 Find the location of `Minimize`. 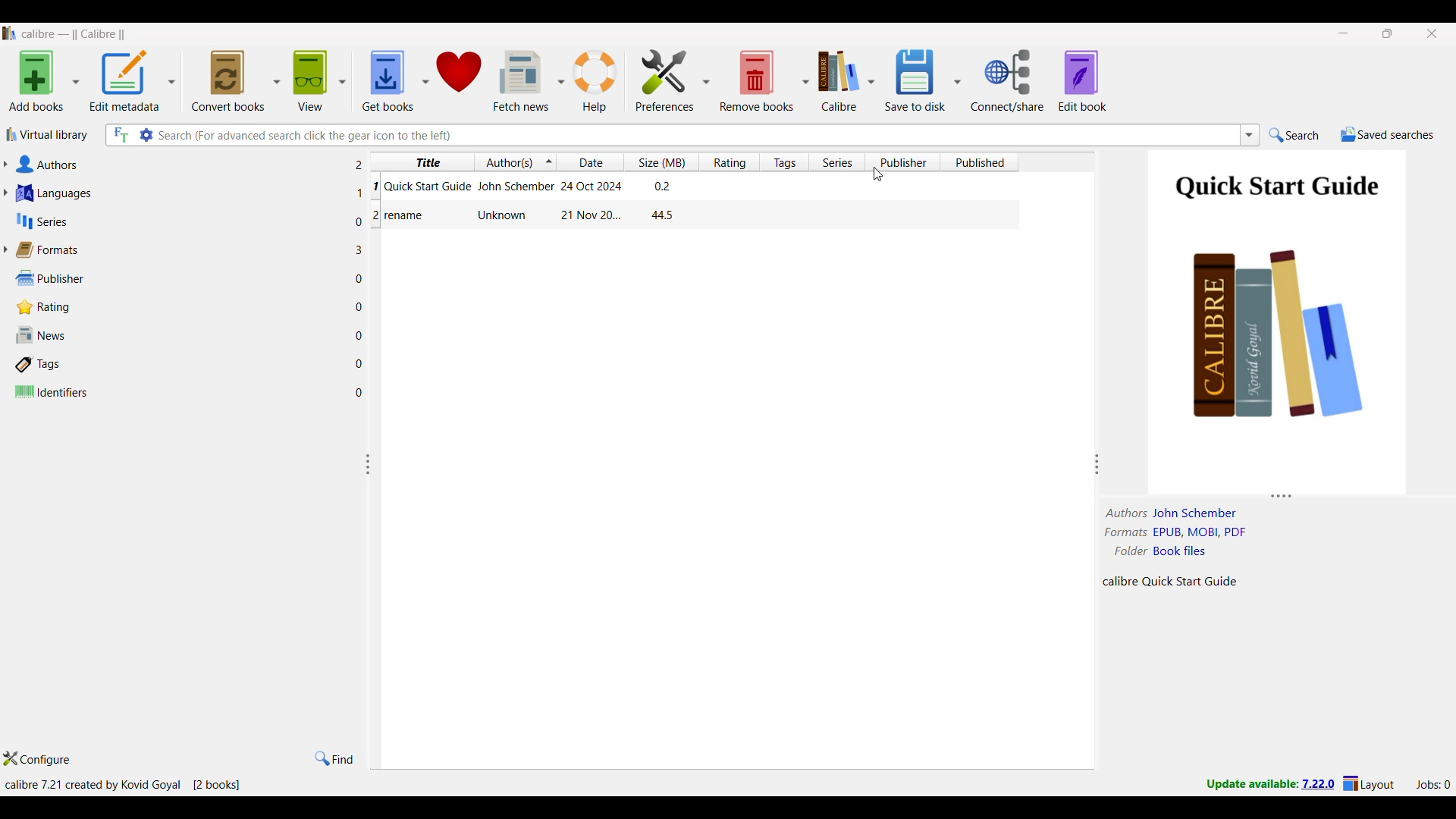

Minimize is located at coordinates (1344, 33).